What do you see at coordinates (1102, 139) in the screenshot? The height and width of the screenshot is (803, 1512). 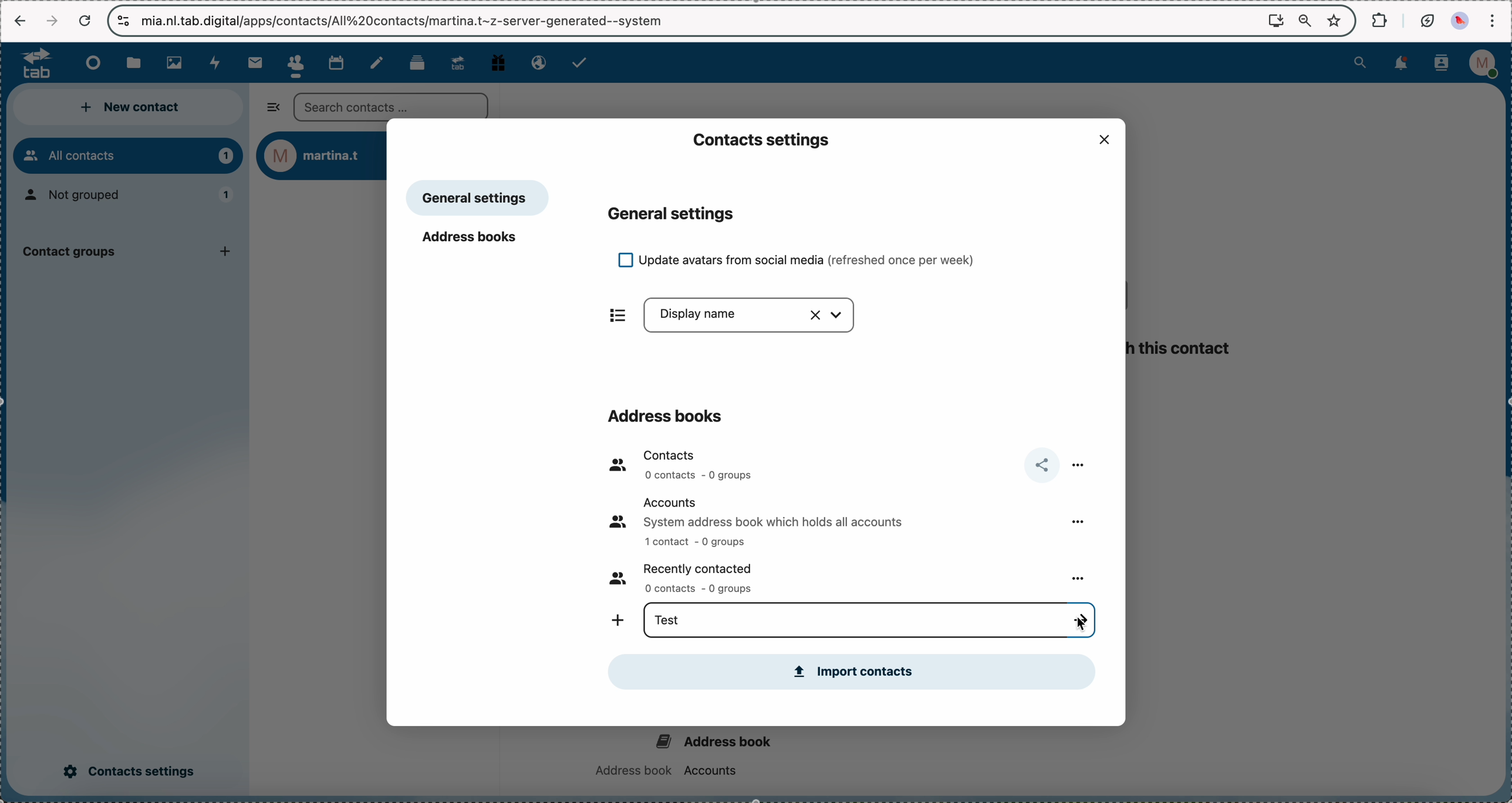 I see `close popup` at bounding box center [1102, 139].